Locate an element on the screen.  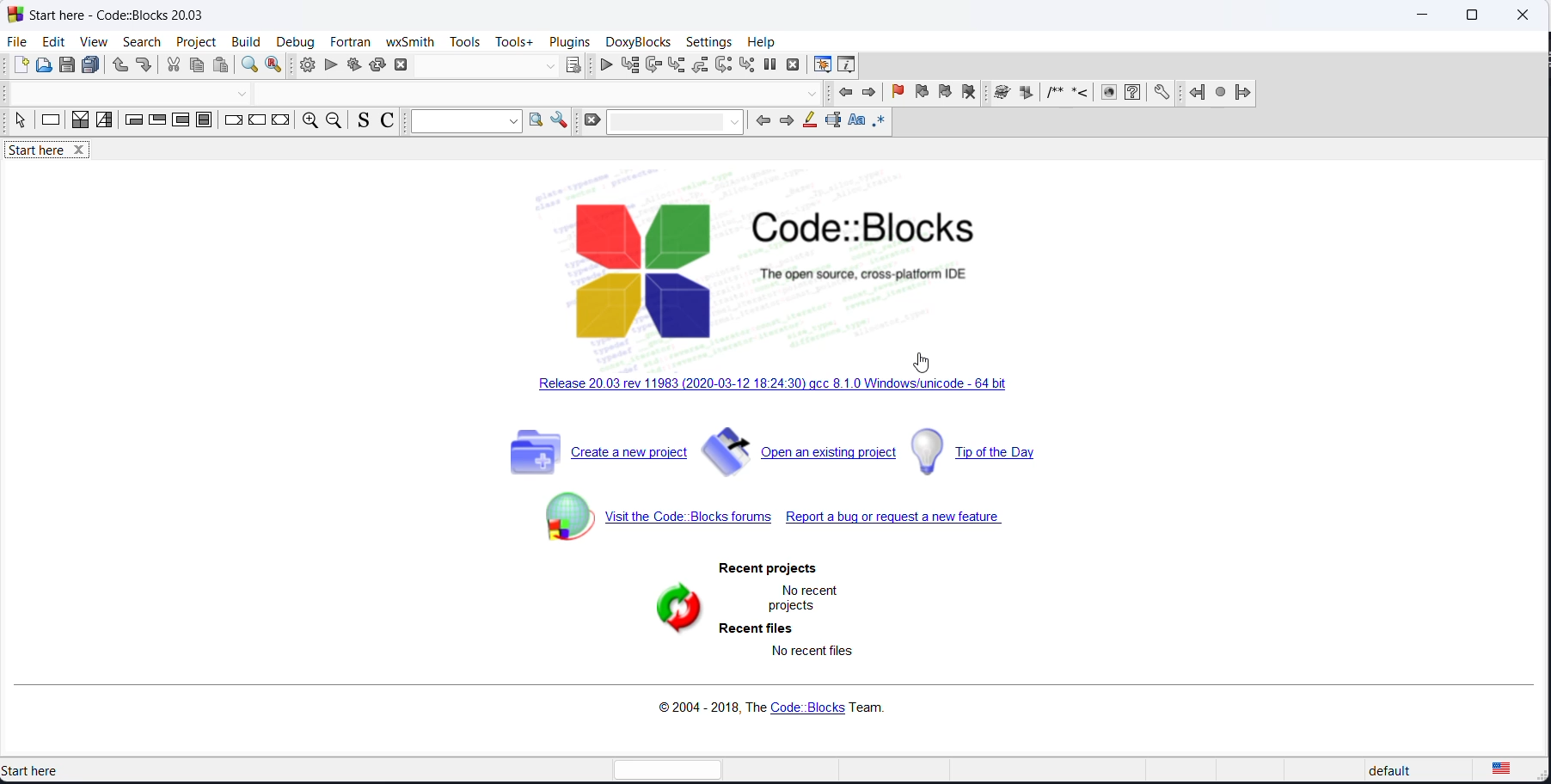
jump back is located at coordinates (1196, 93).